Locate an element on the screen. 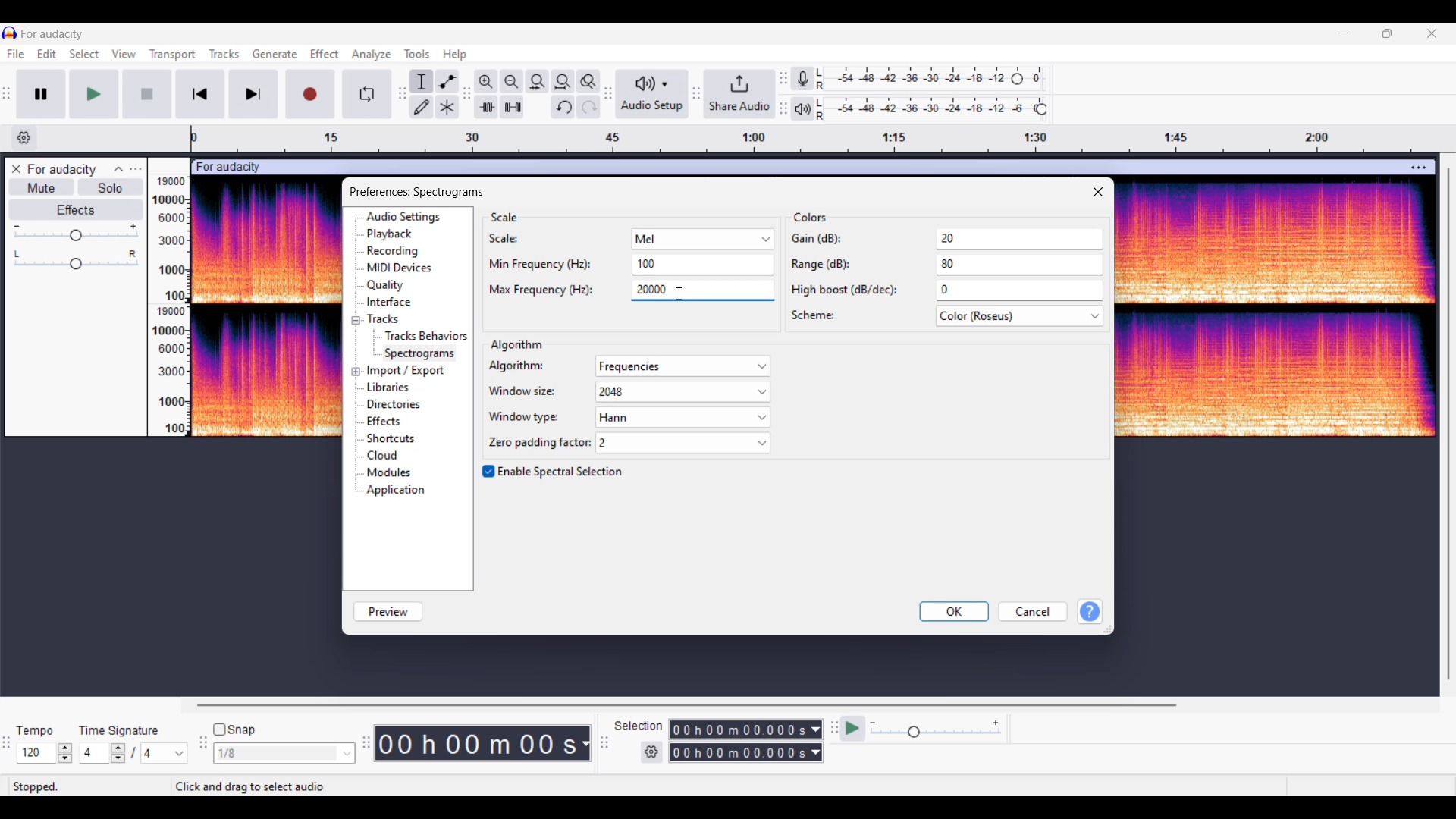 The width and height of the screenshot is (1456, 819). Indicates Tempo settings is located at coordinates (36, 731).